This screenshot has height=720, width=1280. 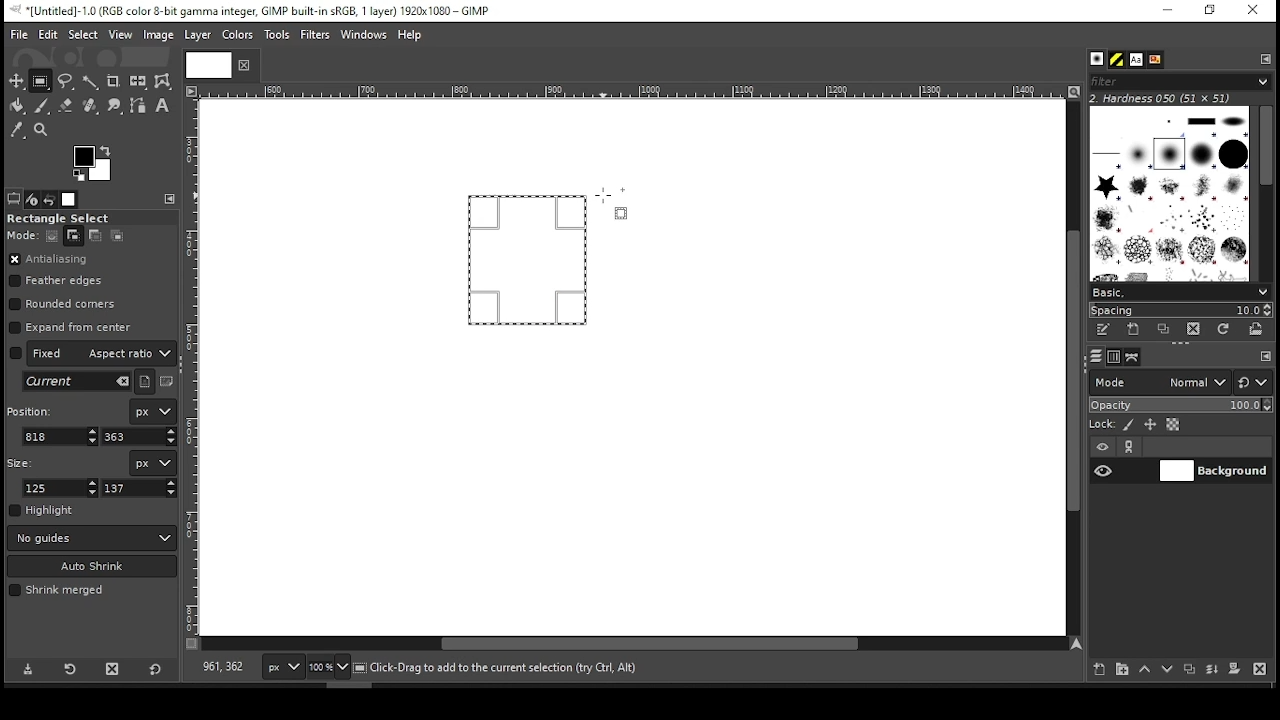 I want to click on paint brush tool, so click(x=42, y=105).